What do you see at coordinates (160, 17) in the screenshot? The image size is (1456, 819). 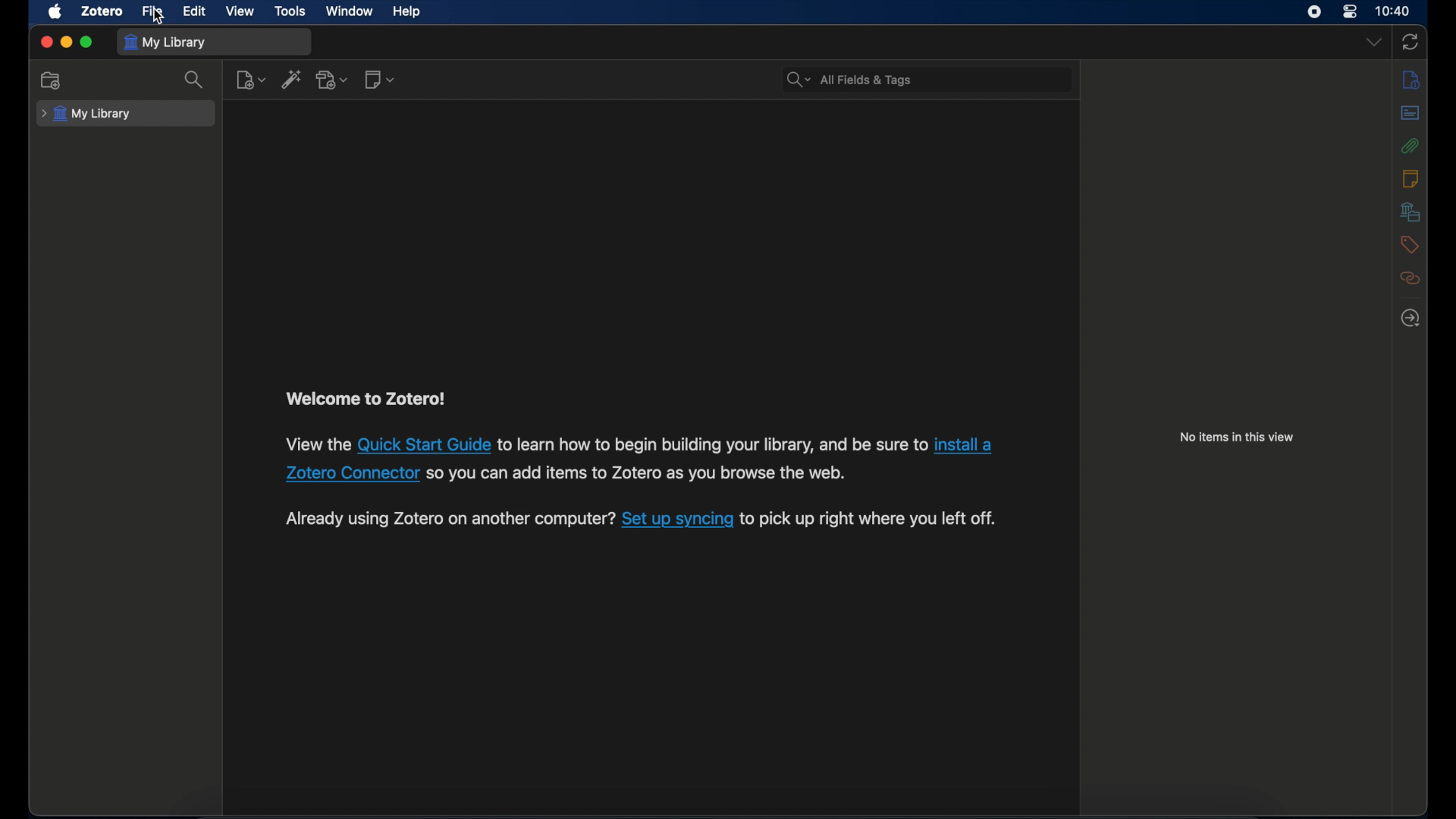 I see `cursor` at bounding box center [160, 17].